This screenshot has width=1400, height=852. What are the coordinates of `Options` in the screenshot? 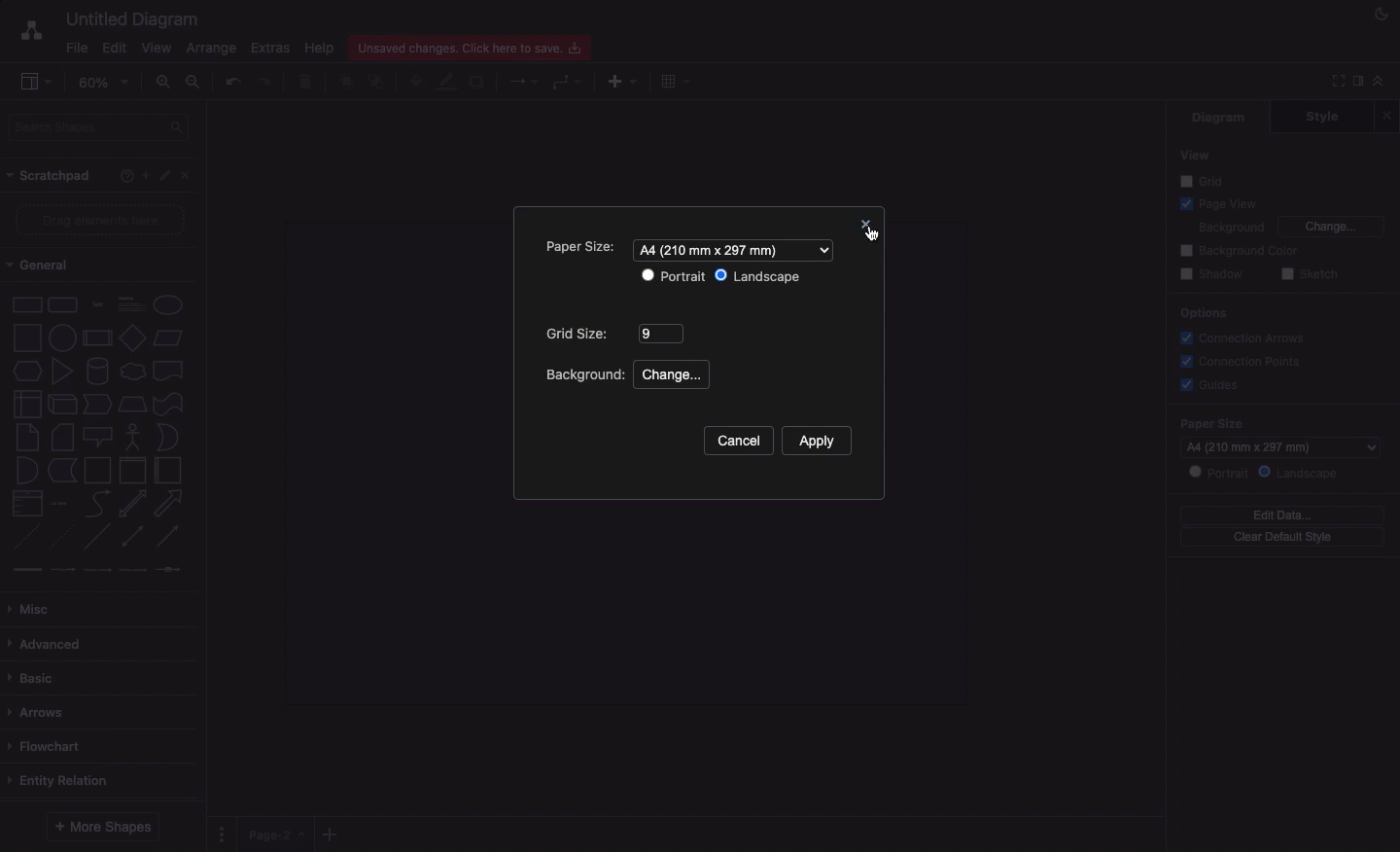 It's located at (1203, 315).